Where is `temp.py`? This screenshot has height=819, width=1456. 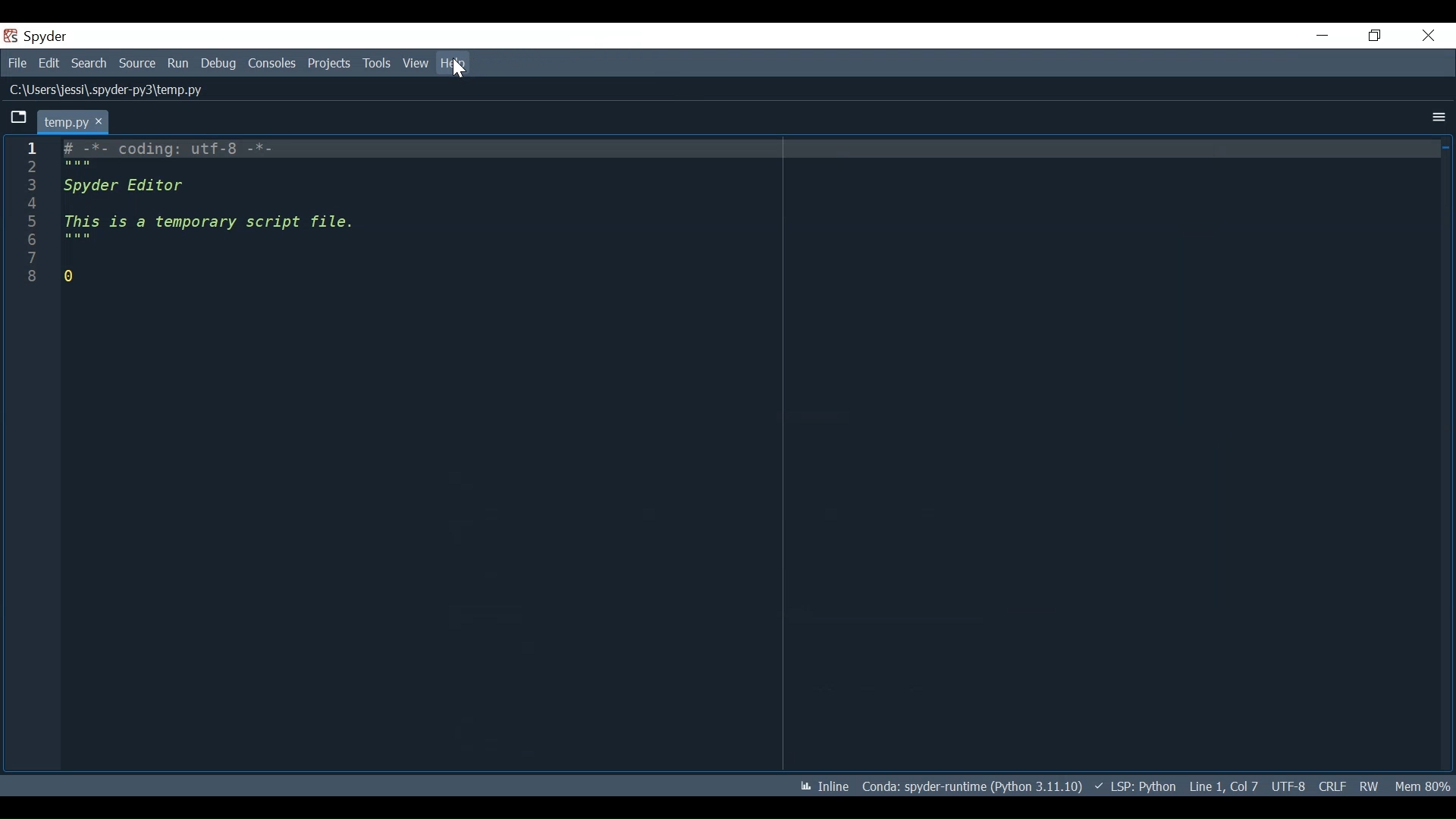 temp.py is located at coordinates (74, 121).